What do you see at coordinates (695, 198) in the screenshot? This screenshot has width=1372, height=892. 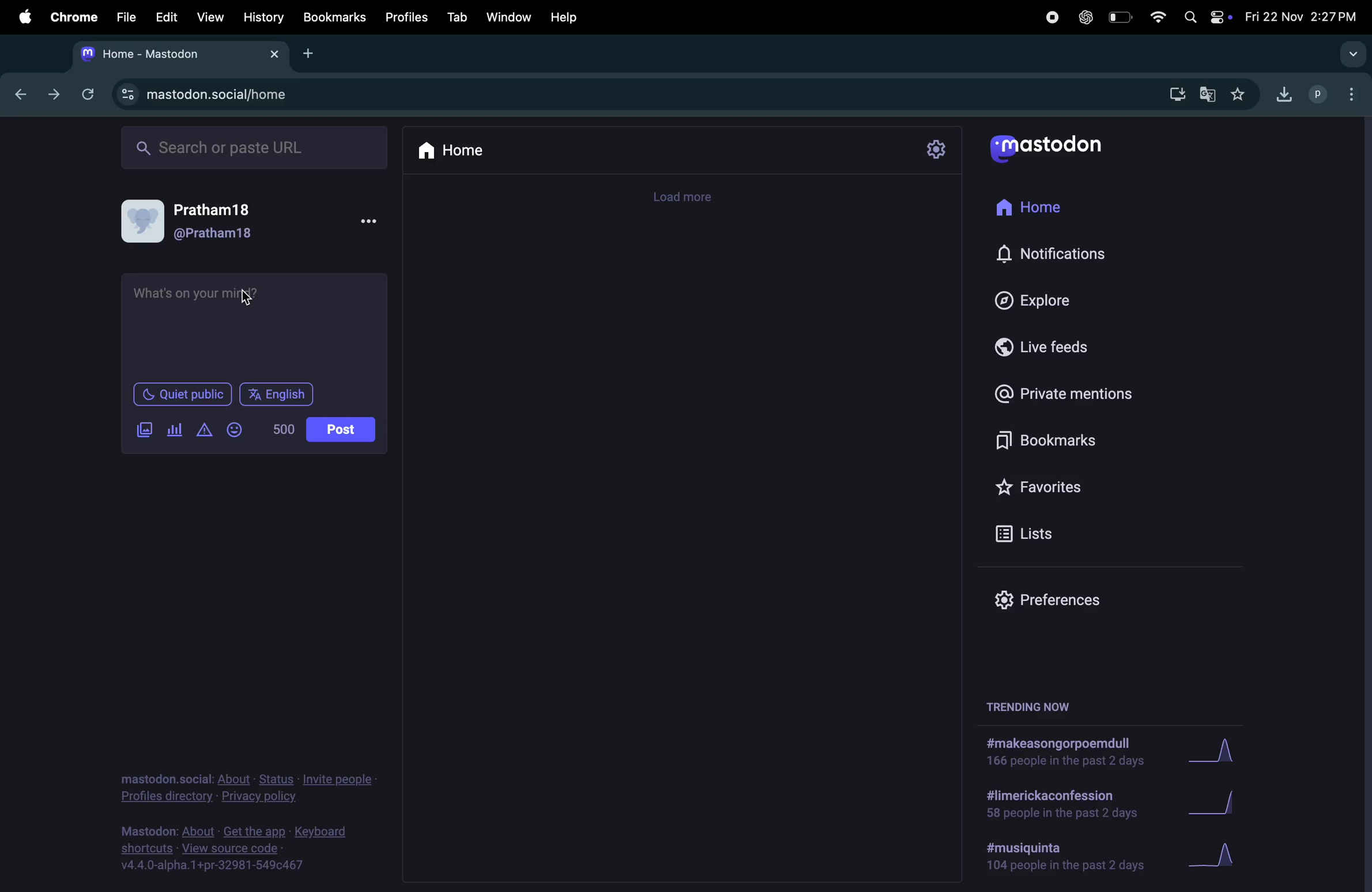 I see `timeline` at bounding box center [695, 198].